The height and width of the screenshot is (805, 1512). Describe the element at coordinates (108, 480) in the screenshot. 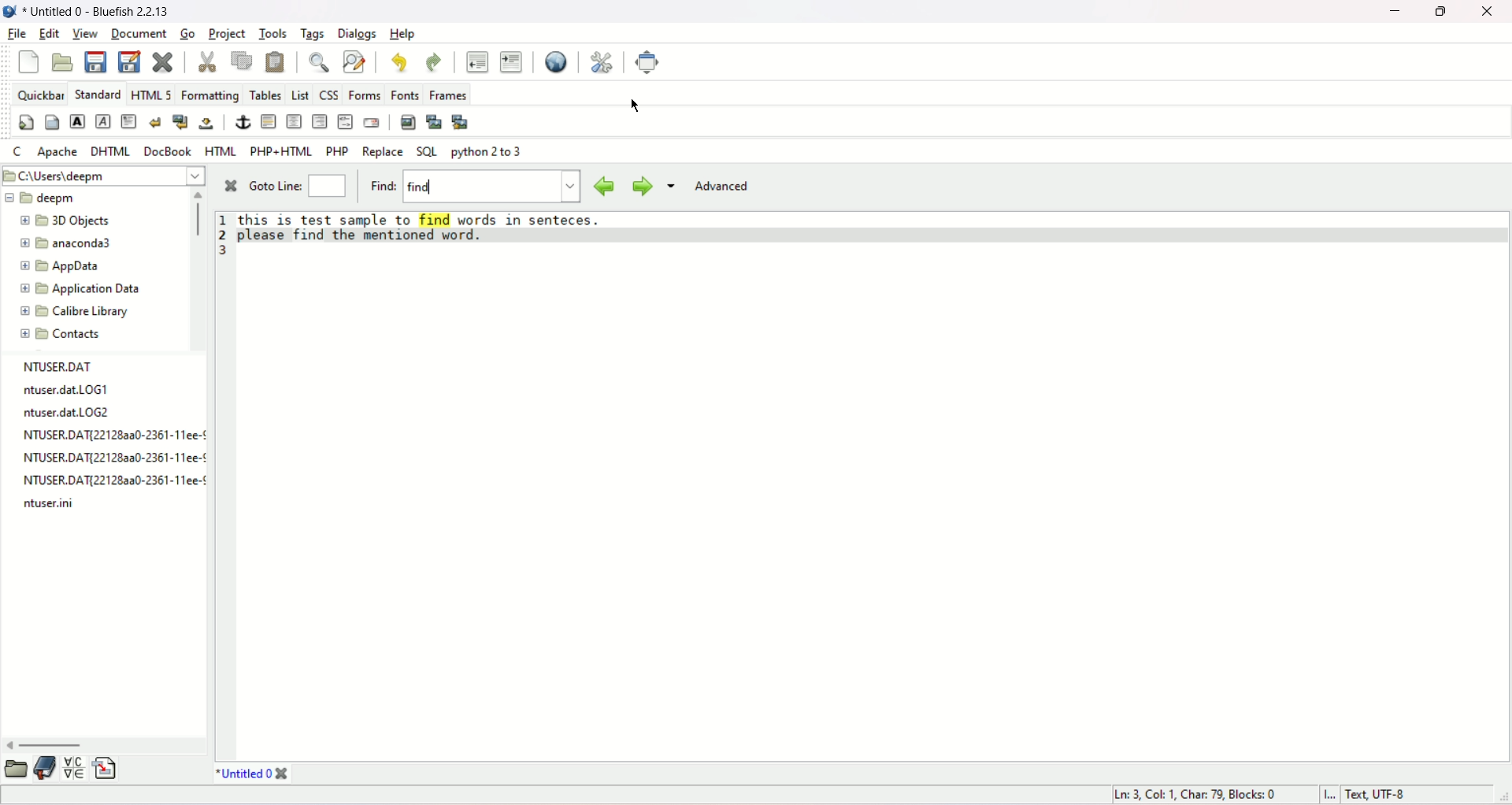

I see `NTUSER.DAT{22128320-2361-11ee-¢` at that location.